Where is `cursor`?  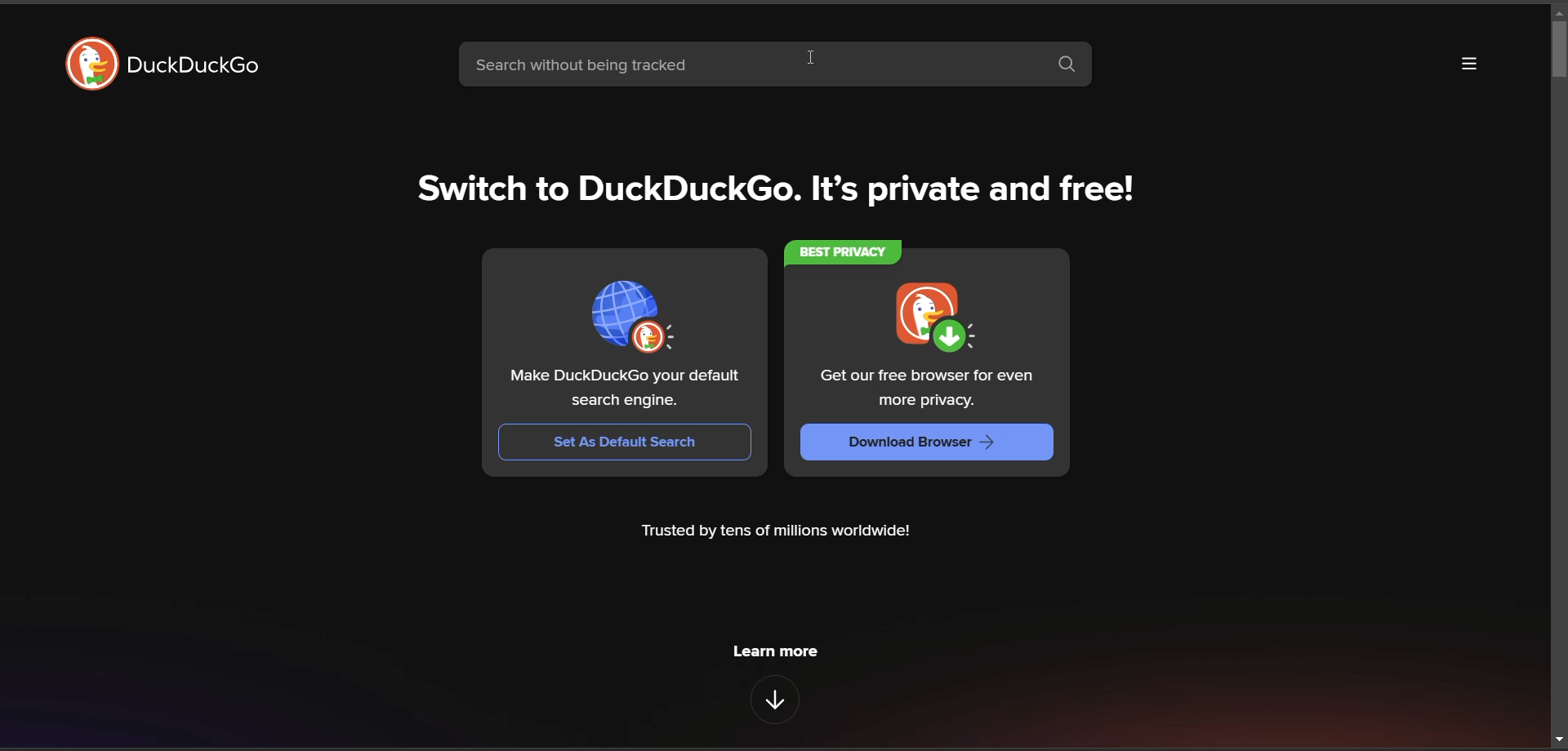 cursor is located at coordinates (816, 60).